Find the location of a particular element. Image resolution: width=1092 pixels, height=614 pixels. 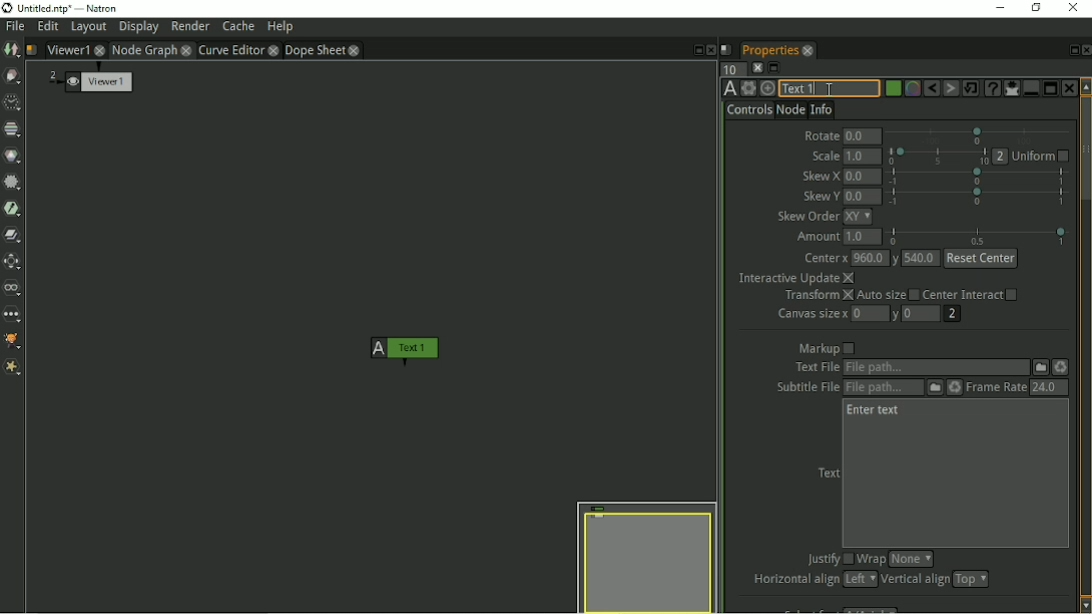

Text File is located at coordinates (936, 368).